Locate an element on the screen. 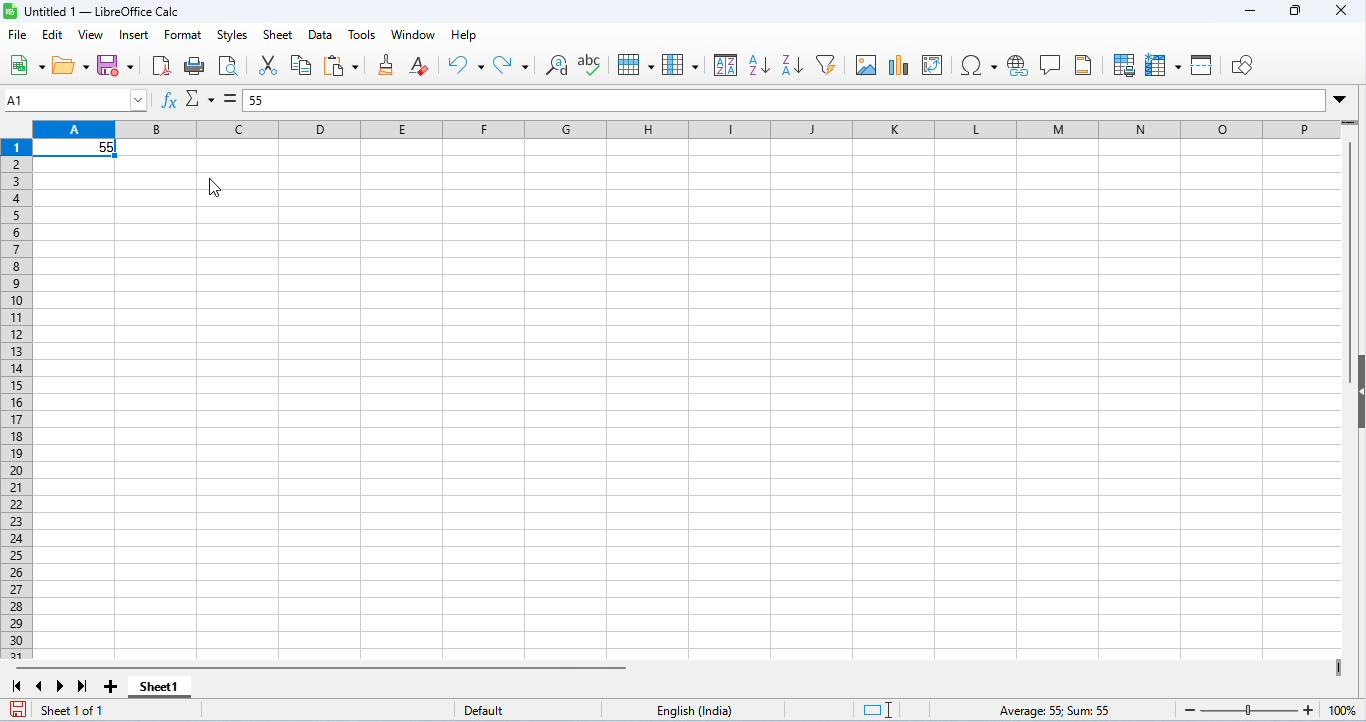  cell number is located at coordinates (77, 100).